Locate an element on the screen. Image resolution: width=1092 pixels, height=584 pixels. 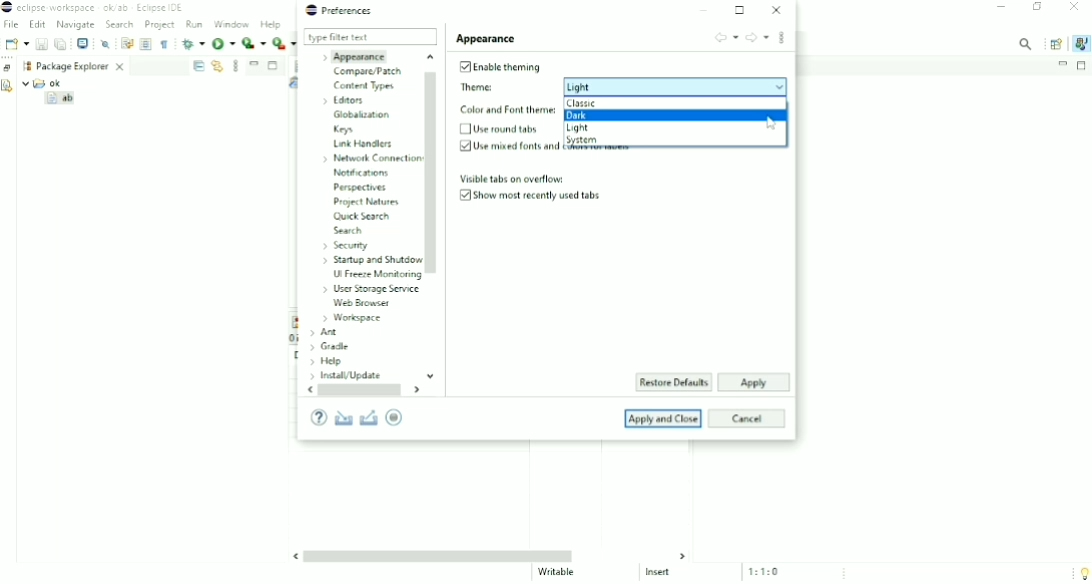
Navigate is located at coordinates (75, 25).